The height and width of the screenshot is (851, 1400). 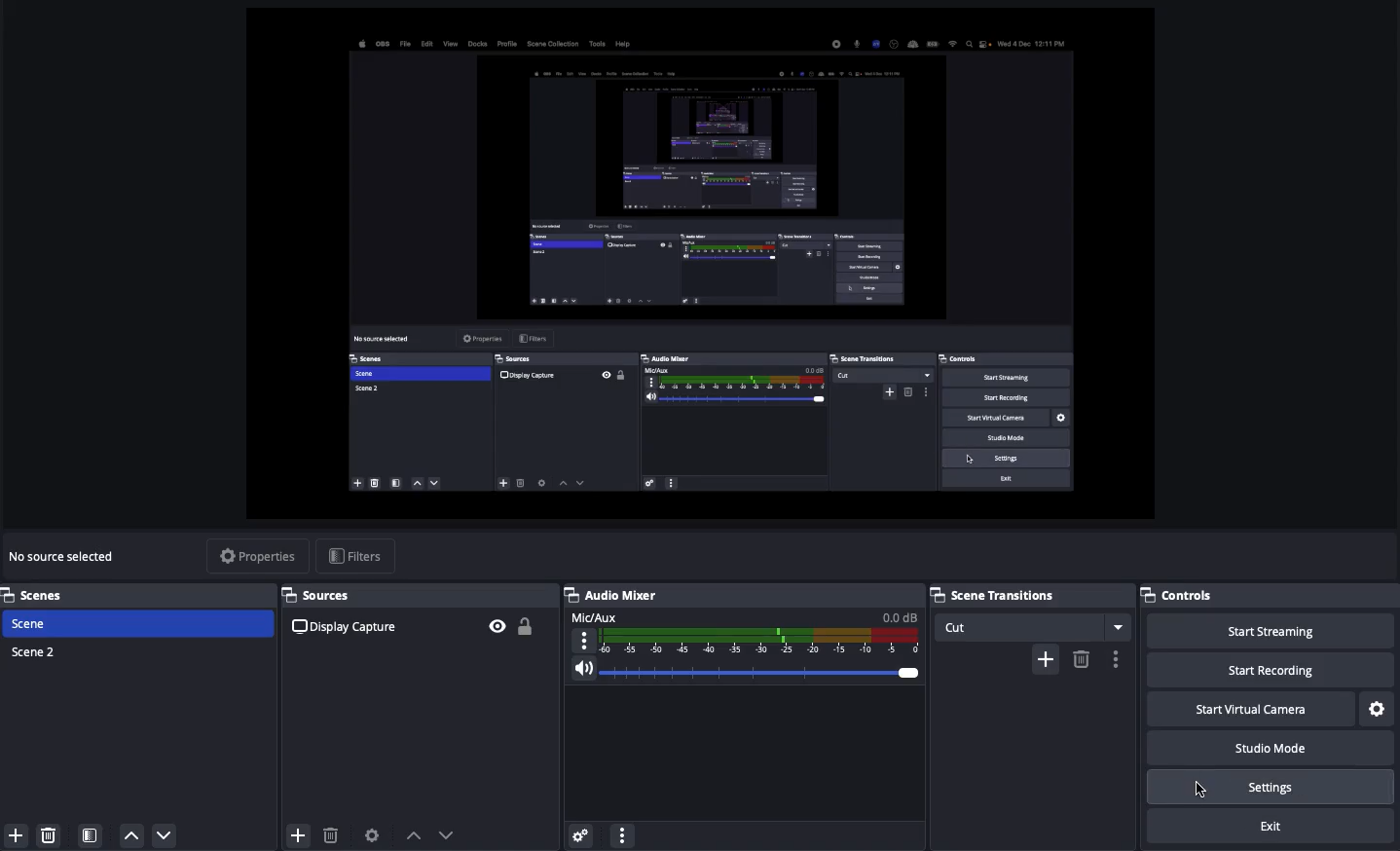 What do you see at coordinates (254, 555) in the screenshot?
I see `Properties` at bounding box center [254, 555].